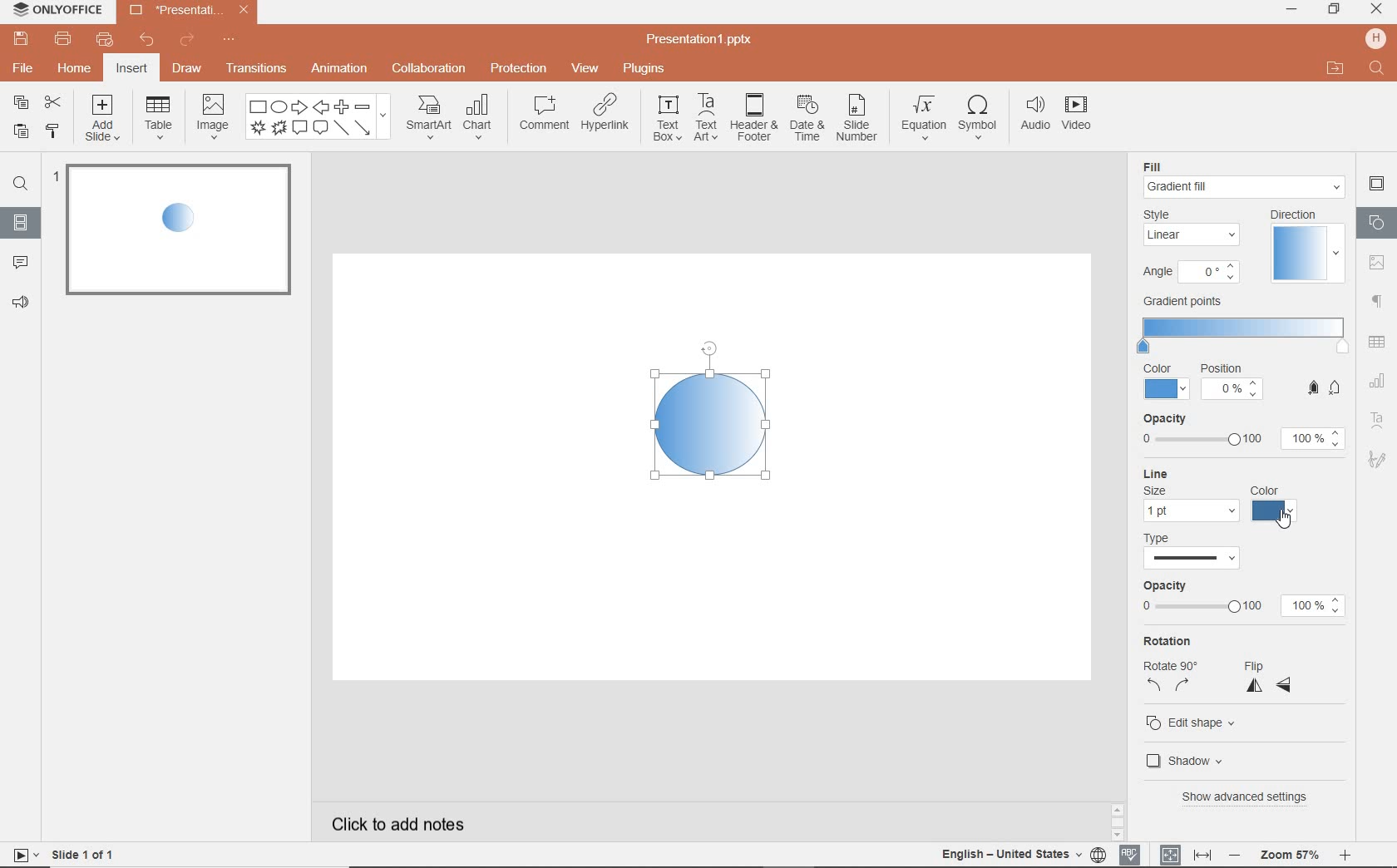 This screenshot has height=868, width=1397. What do you see at coordinates (84, 853) in the screenshot?
I see `slide 1 of 1` at bounding box center [84, 853].